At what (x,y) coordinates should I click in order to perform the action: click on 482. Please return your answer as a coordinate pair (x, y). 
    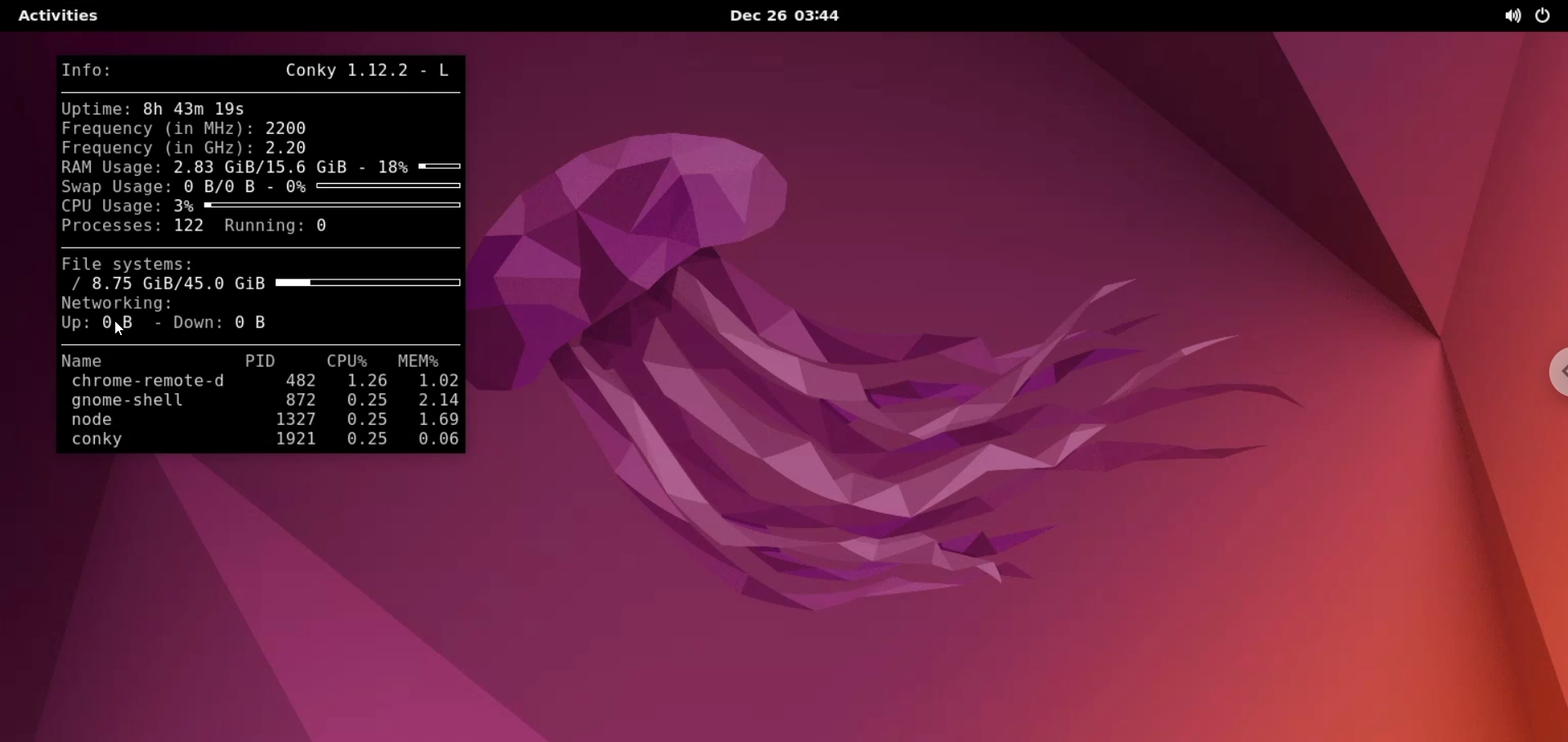
    Looking at the image, I should click on (303, 380).